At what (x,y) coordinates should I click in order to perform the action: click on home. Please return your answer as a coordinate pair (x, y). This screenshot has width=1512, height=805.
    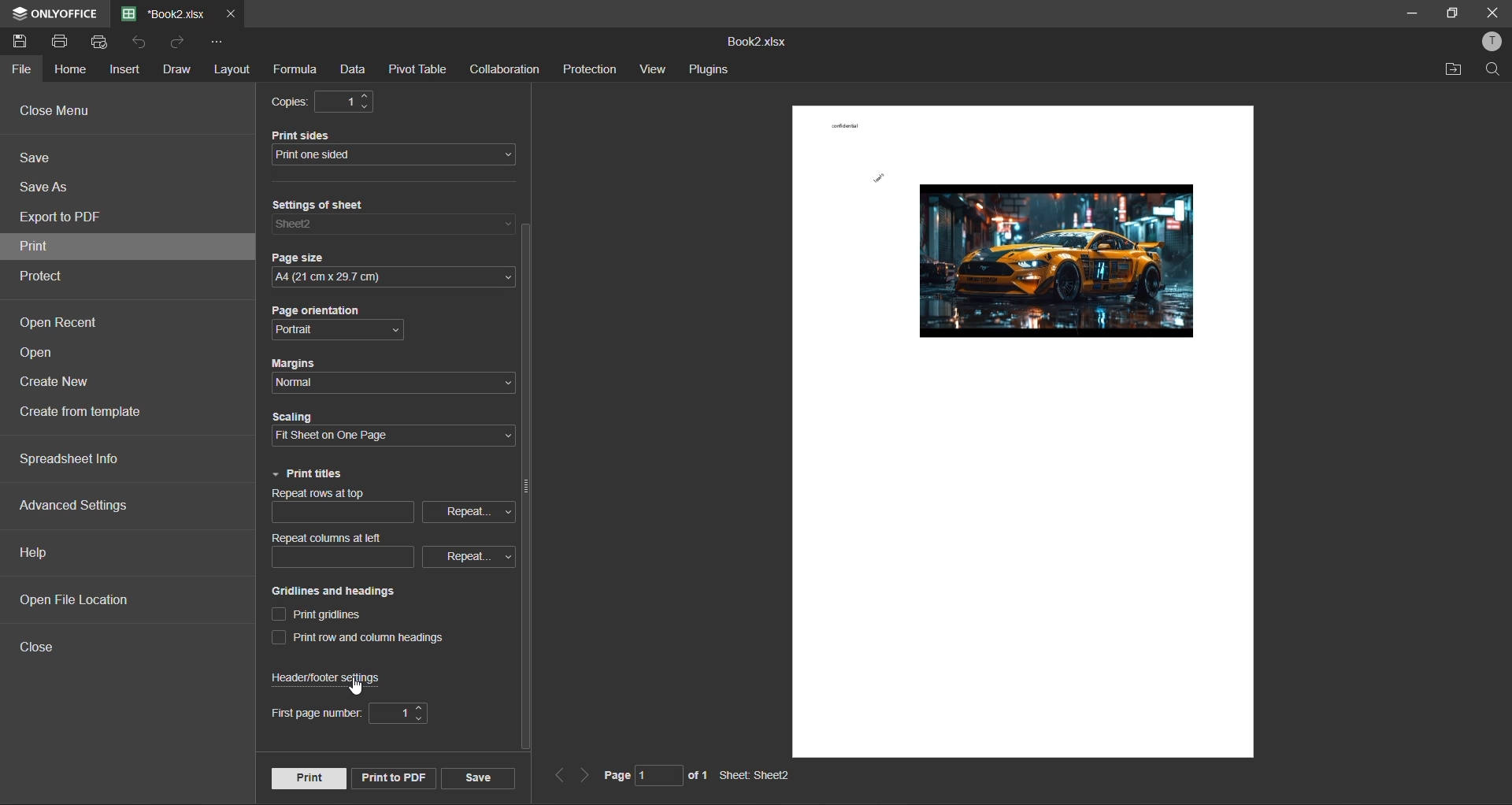
    Looking at the image, I should click on (69, 67).